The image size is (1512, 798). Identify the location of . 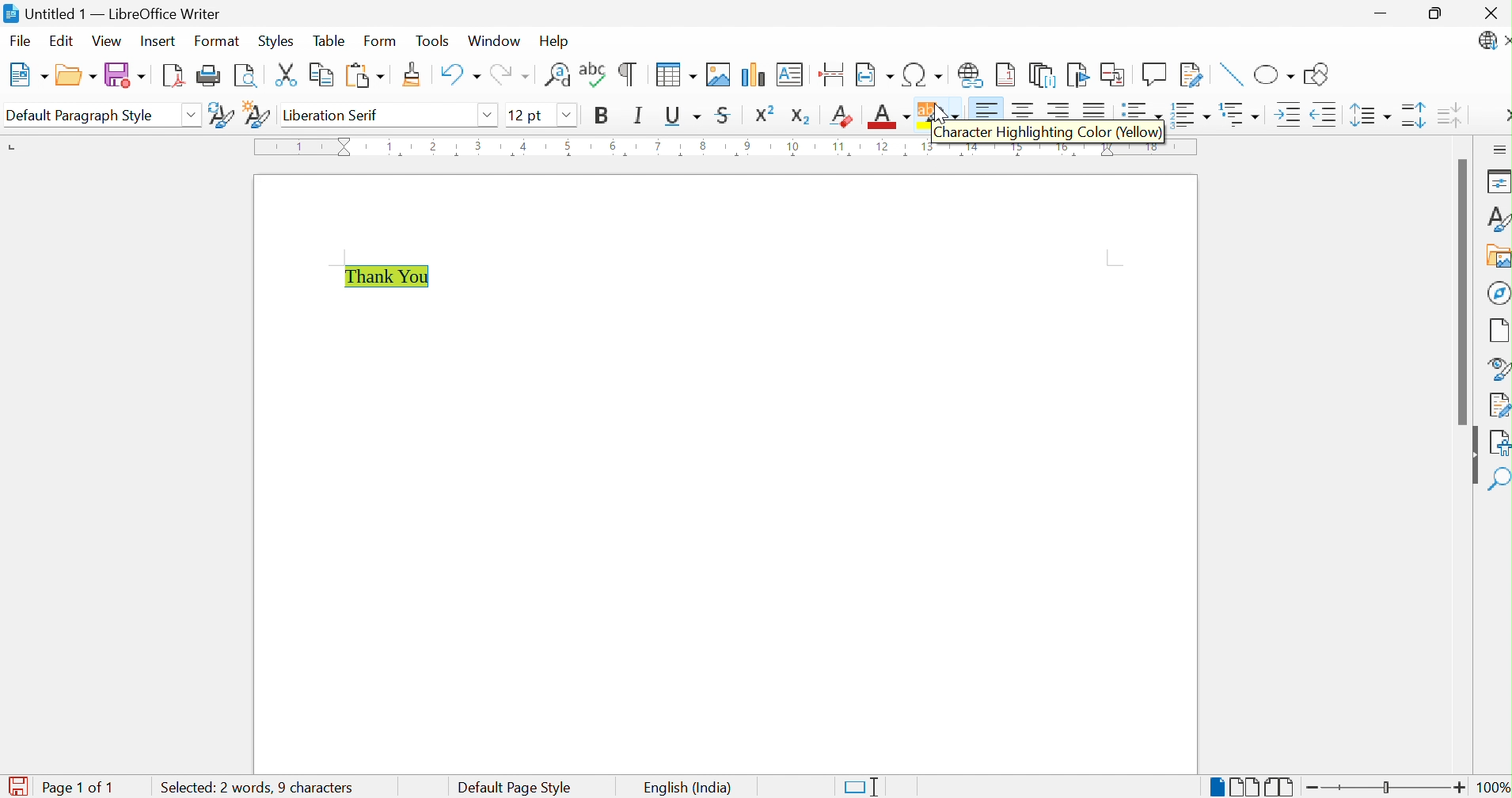
(508, 74).